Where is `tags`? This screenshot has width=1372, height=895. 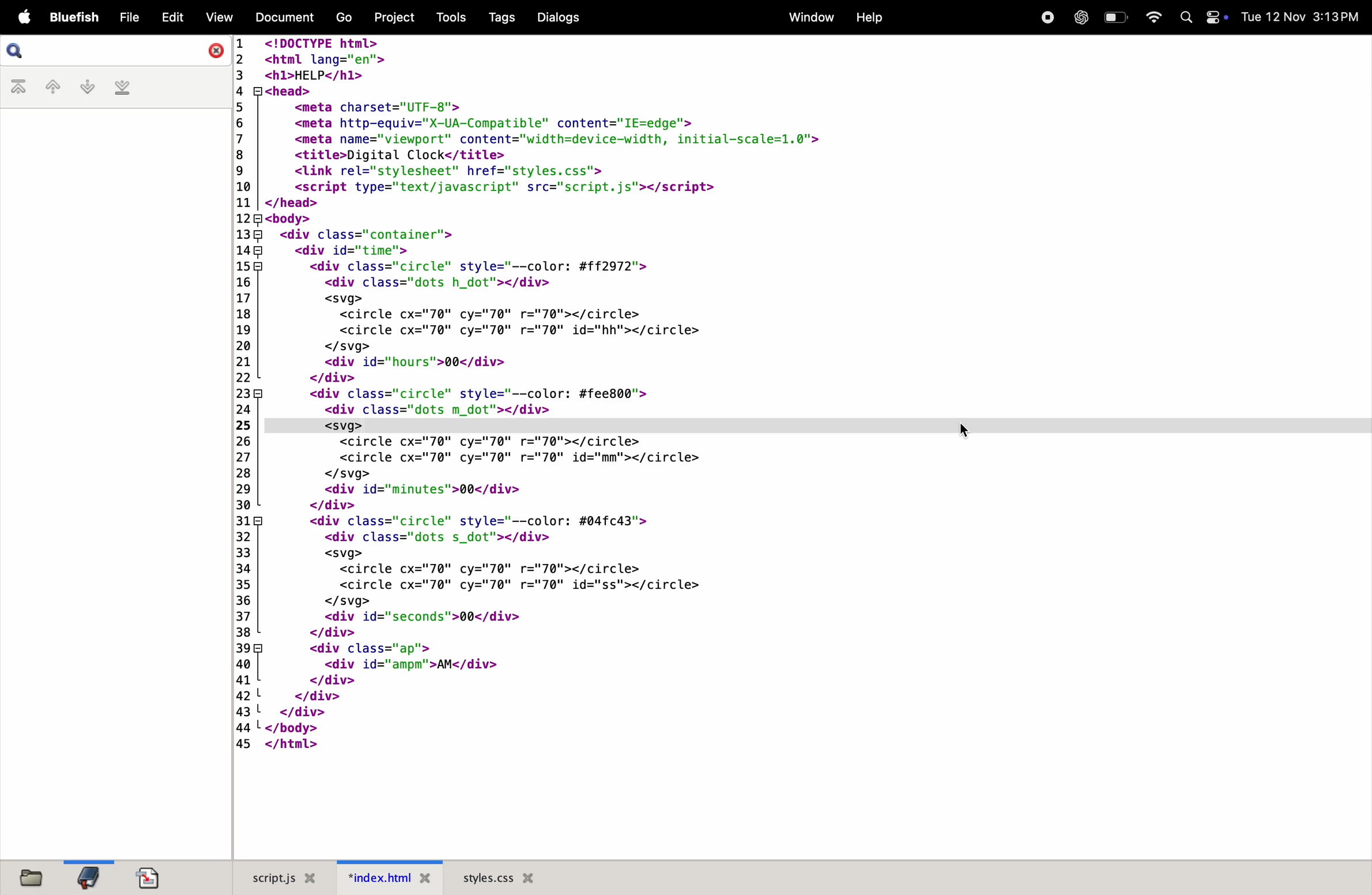 tags is located at coordinates (499, 18).